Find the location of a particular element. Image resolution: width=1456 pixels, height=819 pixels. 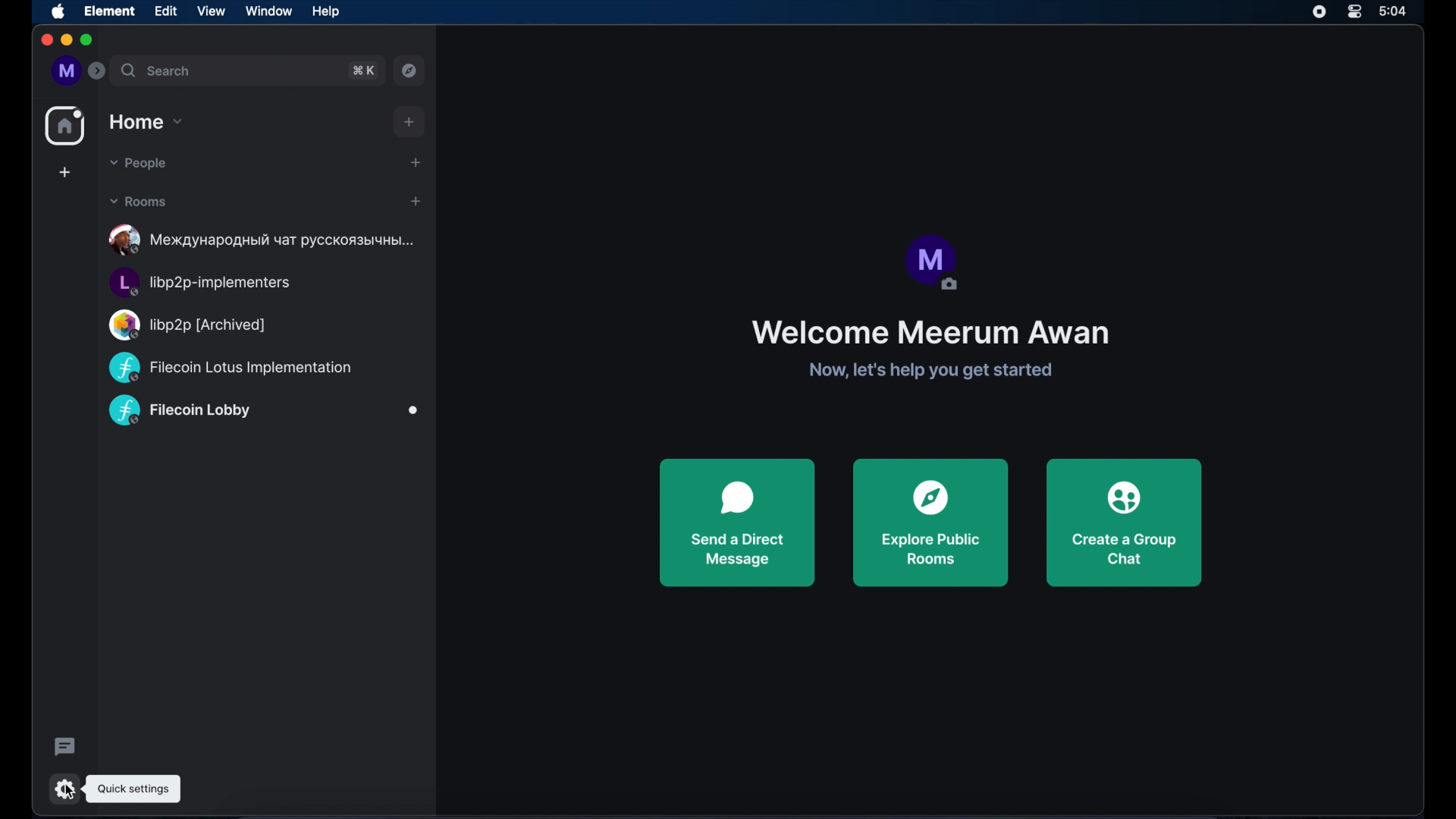

people dropdown is located at coordinates (137, 164).